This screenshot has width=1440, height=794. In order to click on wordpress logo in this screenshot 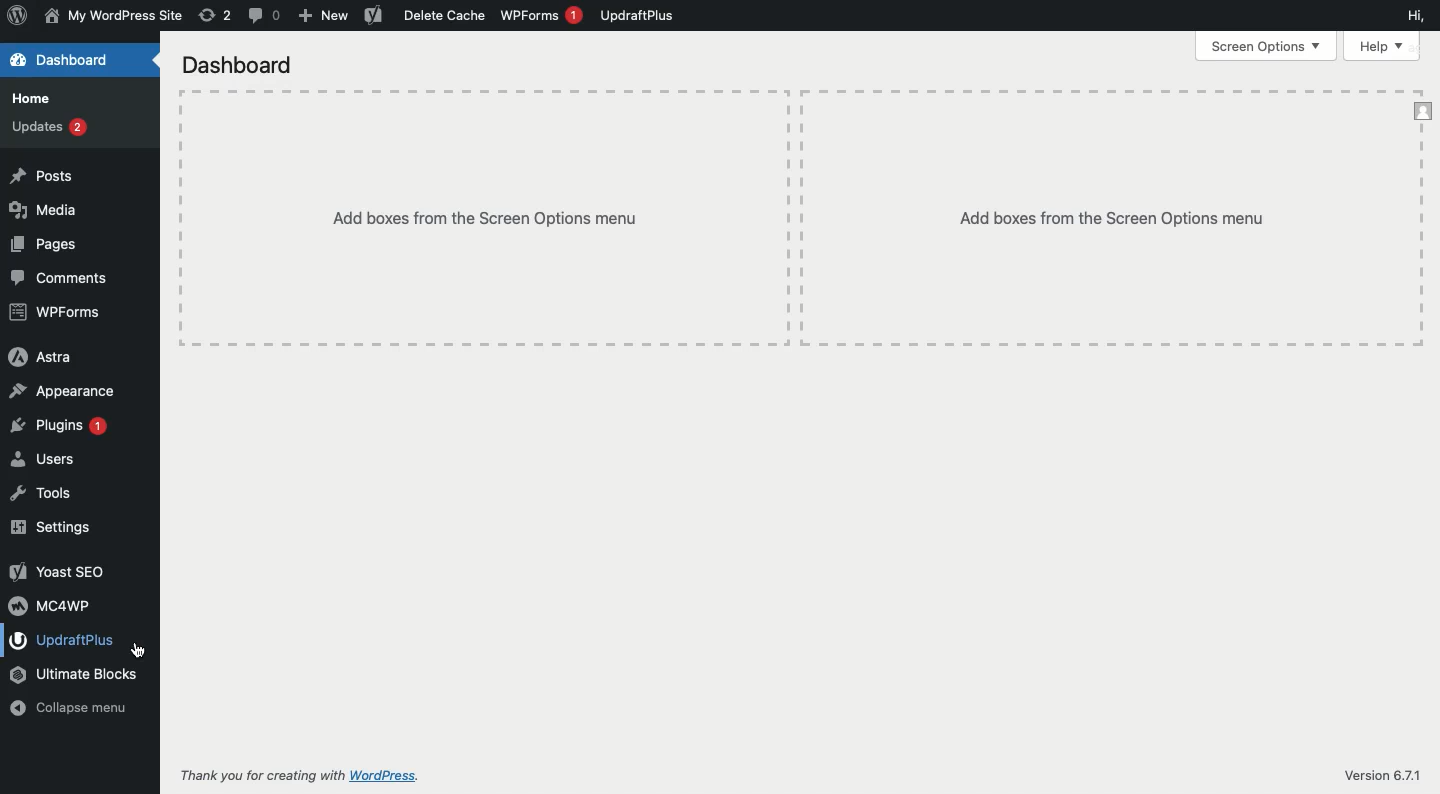, I will do `click(17, 15)`.